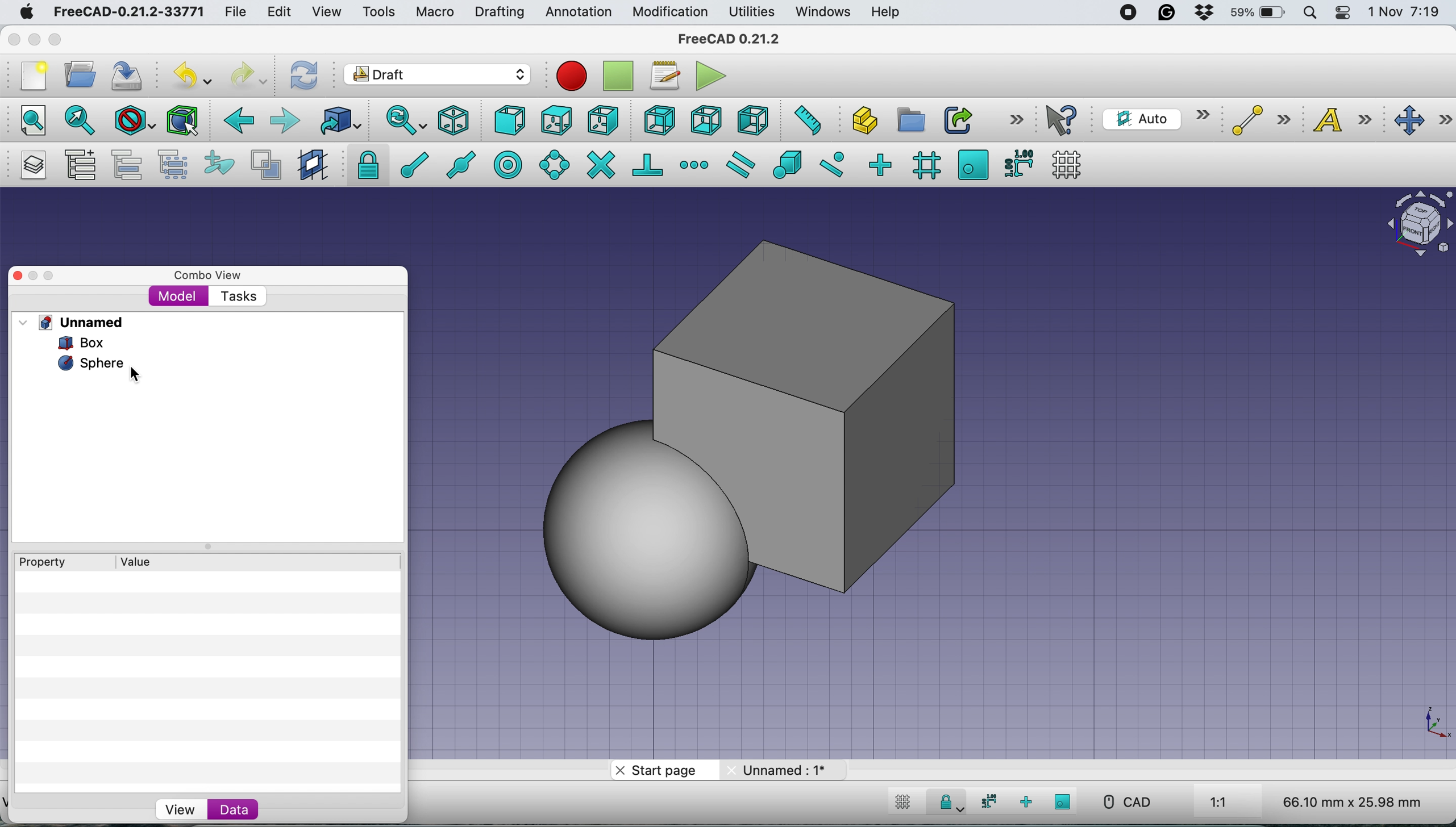 This screenshot has height=827, width=1456. Describe the element at coordinates (89, 364) in the screenshot. I see `sphere` at that location.